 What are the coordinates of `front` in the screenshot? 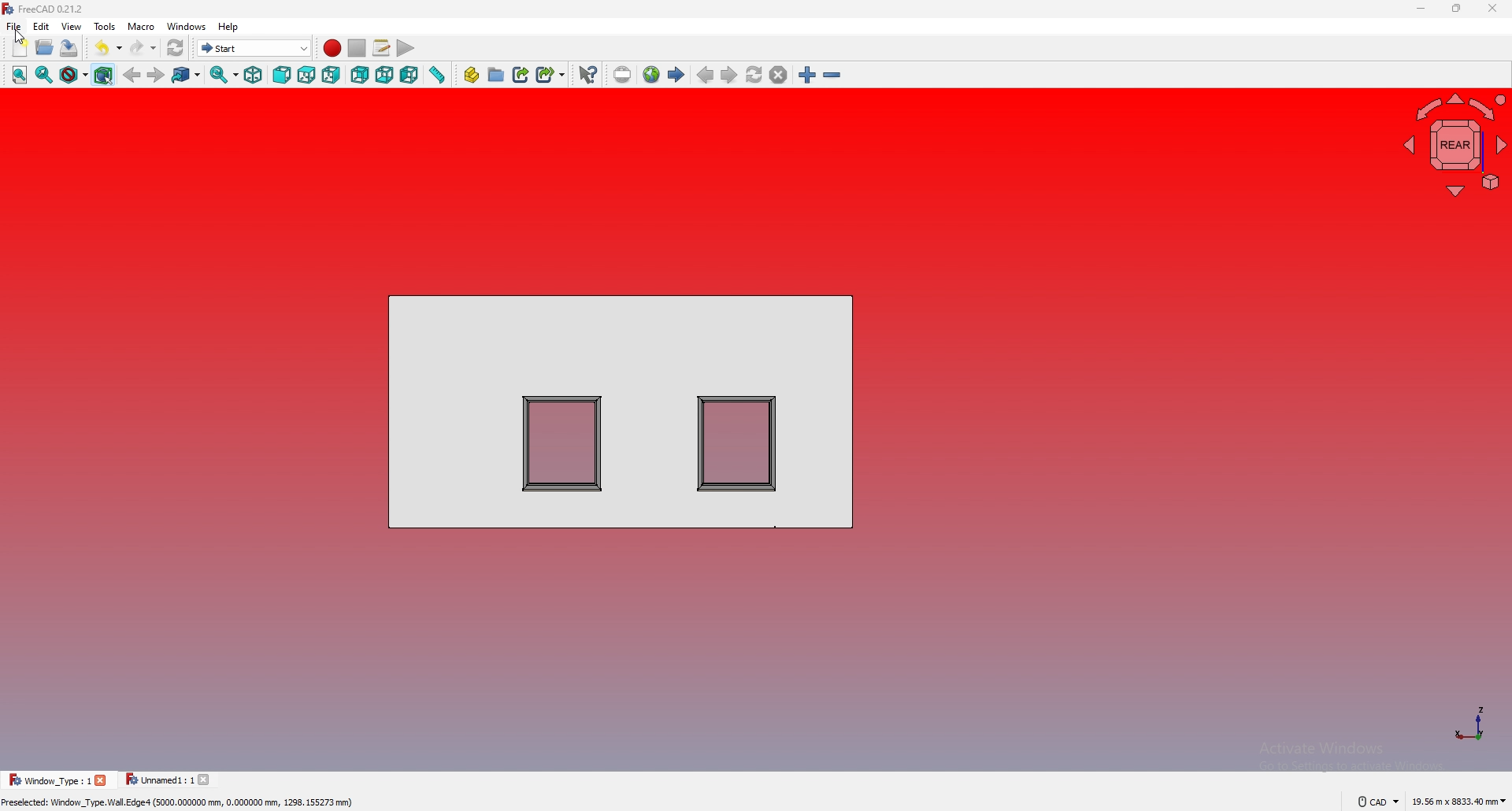 It's located at (283, 74).